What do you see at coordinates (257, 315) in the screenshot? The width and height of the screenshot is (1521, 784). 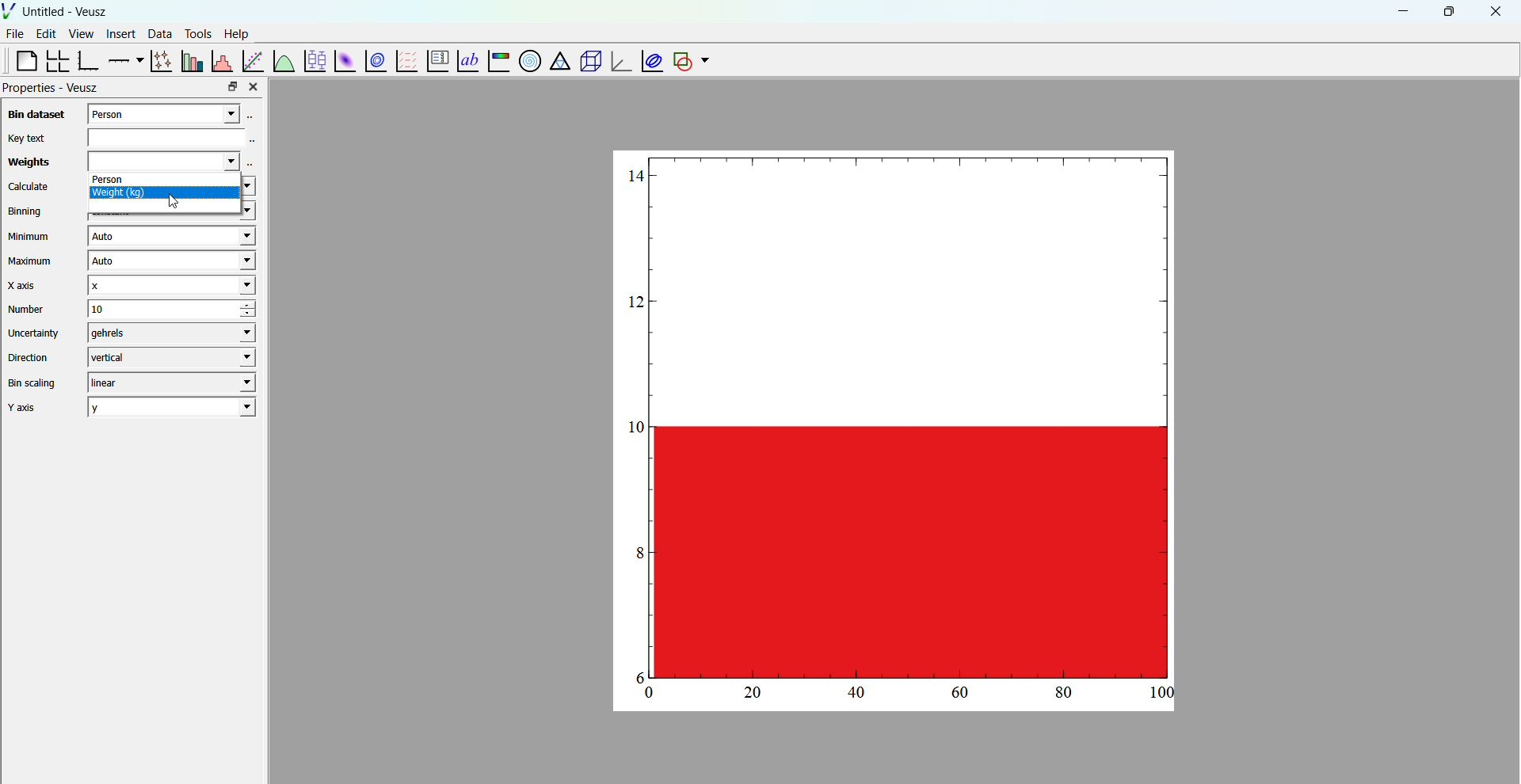 I see `decrease number` at bounding box center [257, 315].